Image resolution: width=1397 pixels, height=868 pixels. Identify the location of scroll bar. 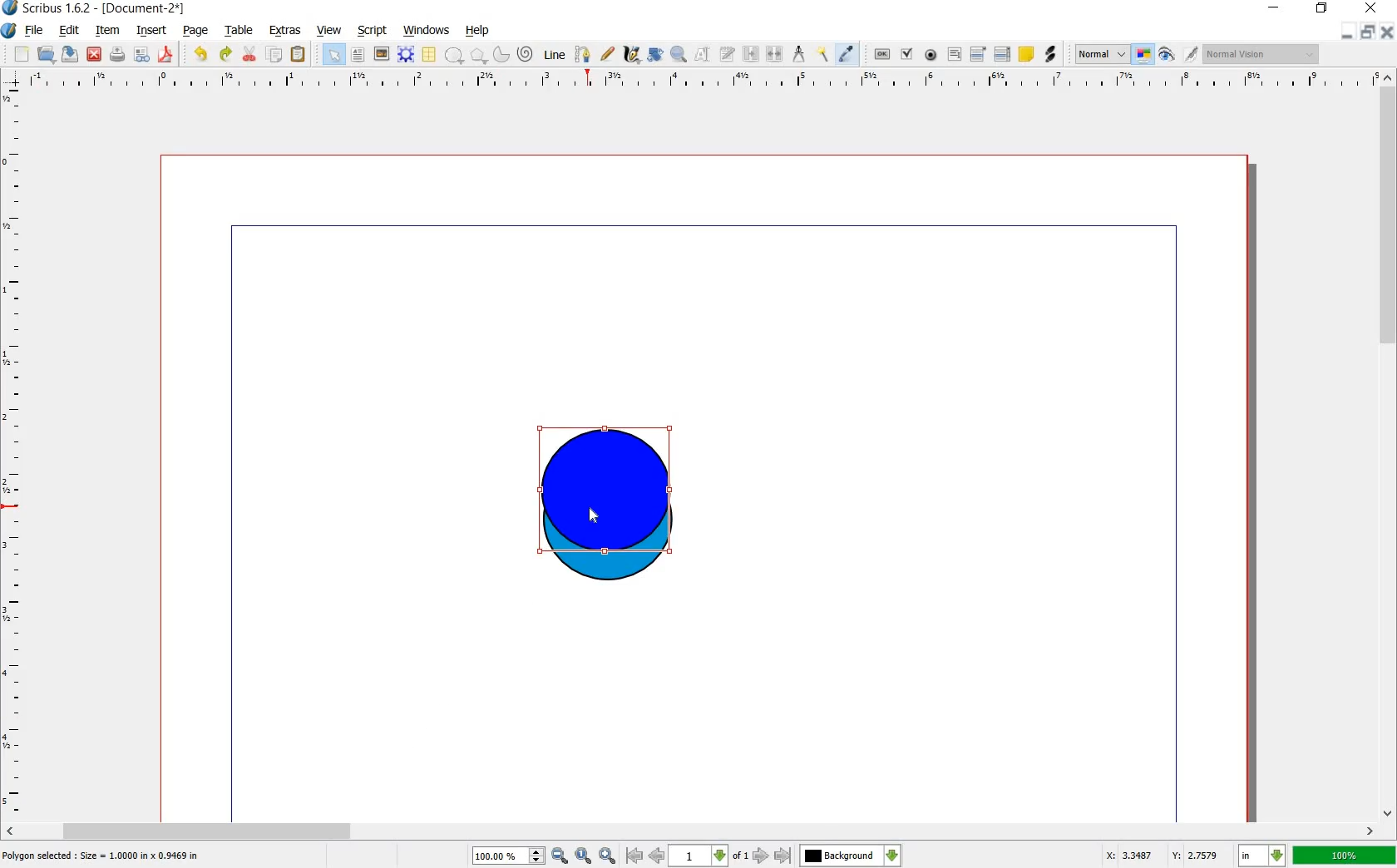
(690, 830).